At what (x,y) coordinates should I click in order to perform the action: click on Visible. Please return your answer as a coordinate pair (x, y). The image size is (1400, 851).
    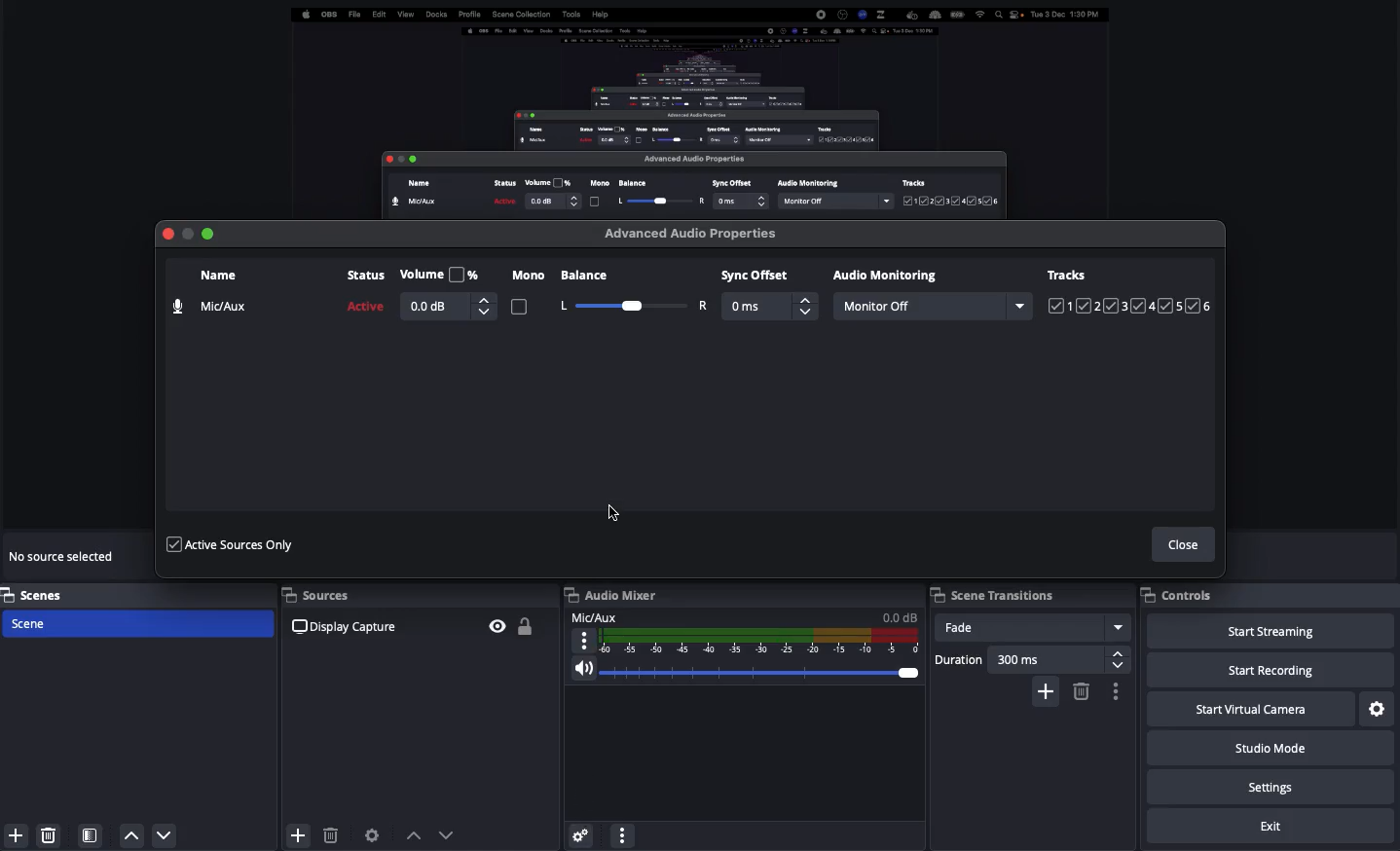
    Looking at the image, I should click on (493, 625).